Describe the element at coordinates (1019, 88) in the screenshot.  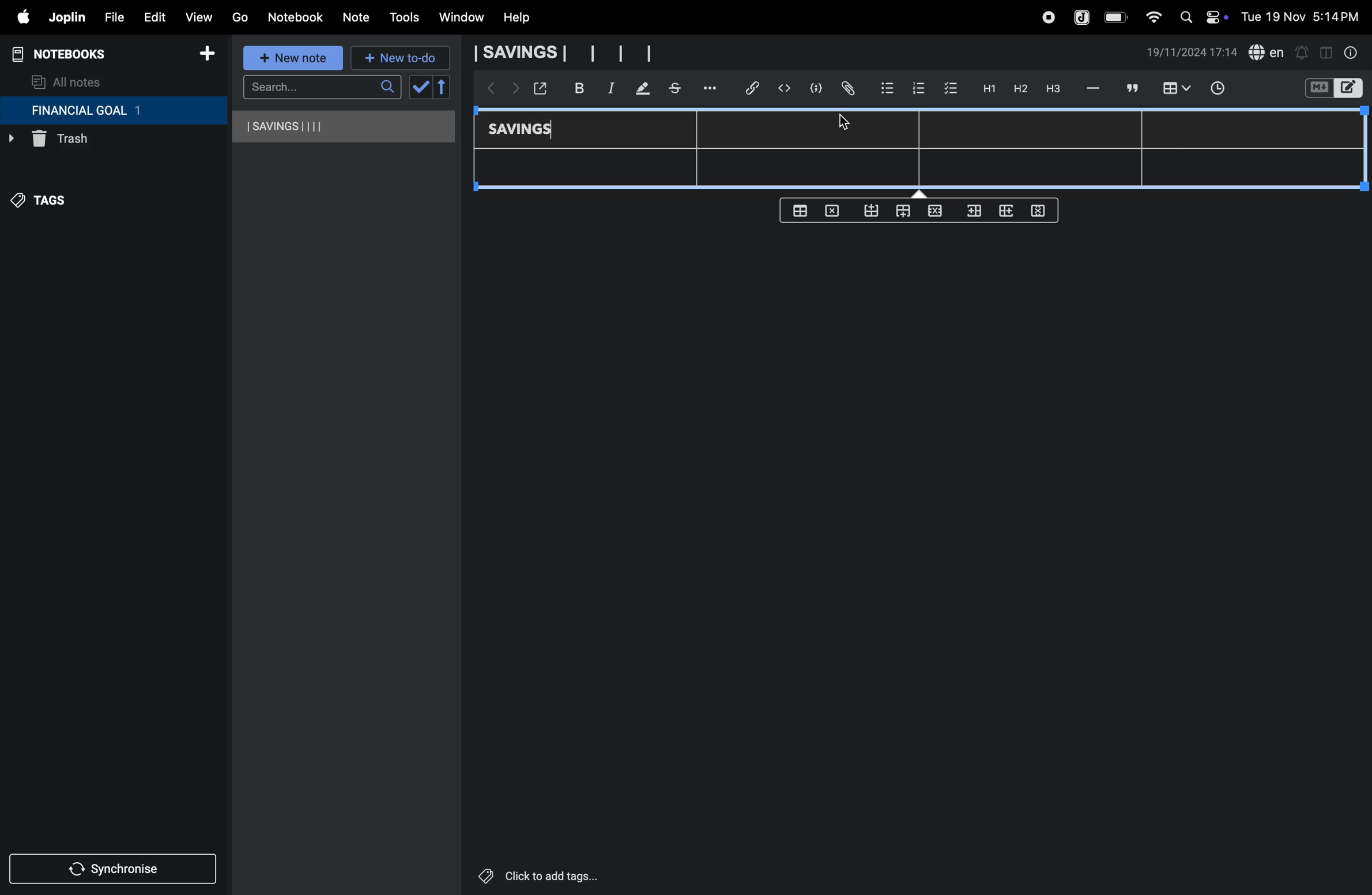
I see `h2` at that location.